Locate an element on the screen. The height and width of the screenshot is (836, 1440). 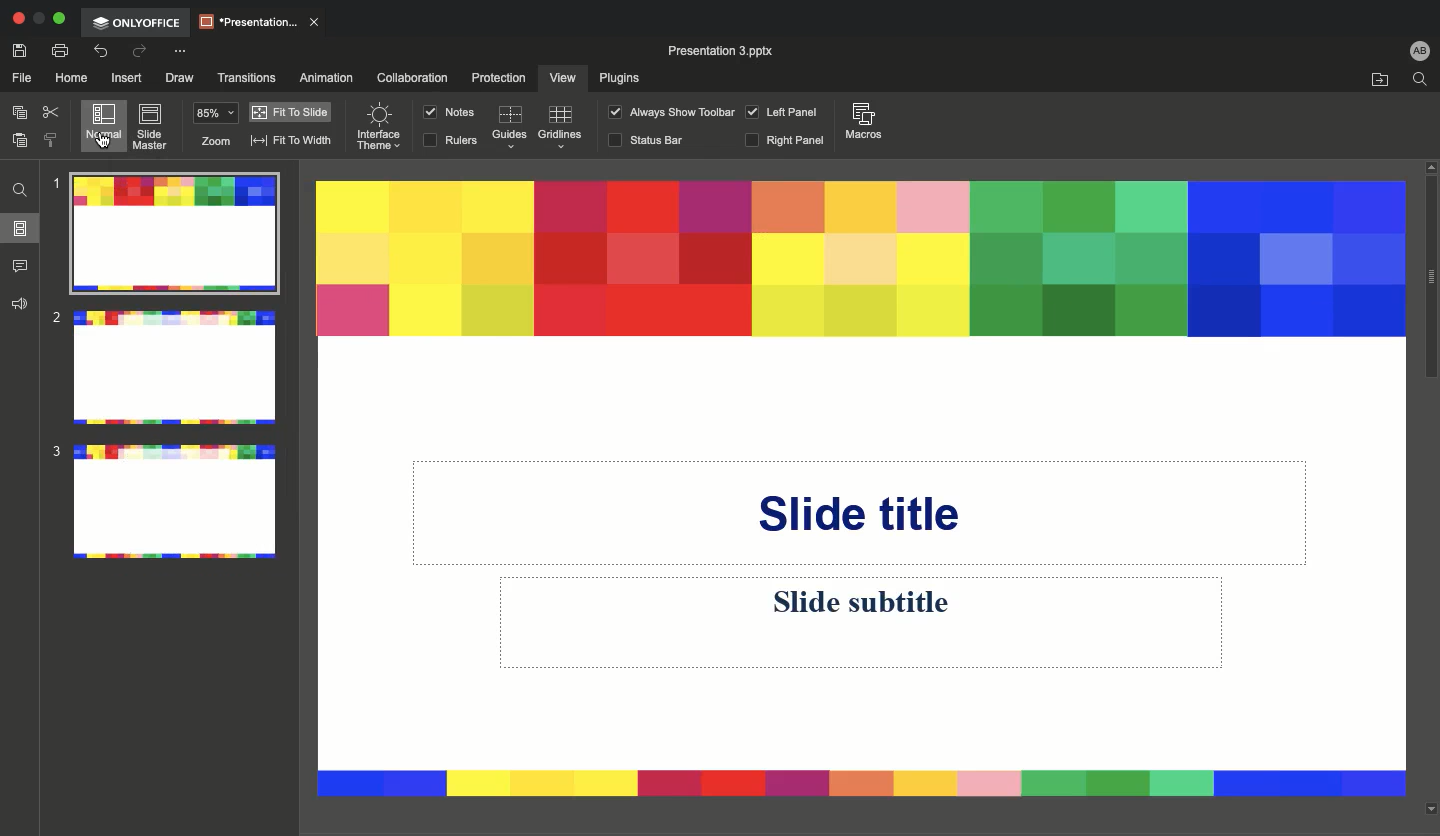
Find is located at coordinates (1420, 79).